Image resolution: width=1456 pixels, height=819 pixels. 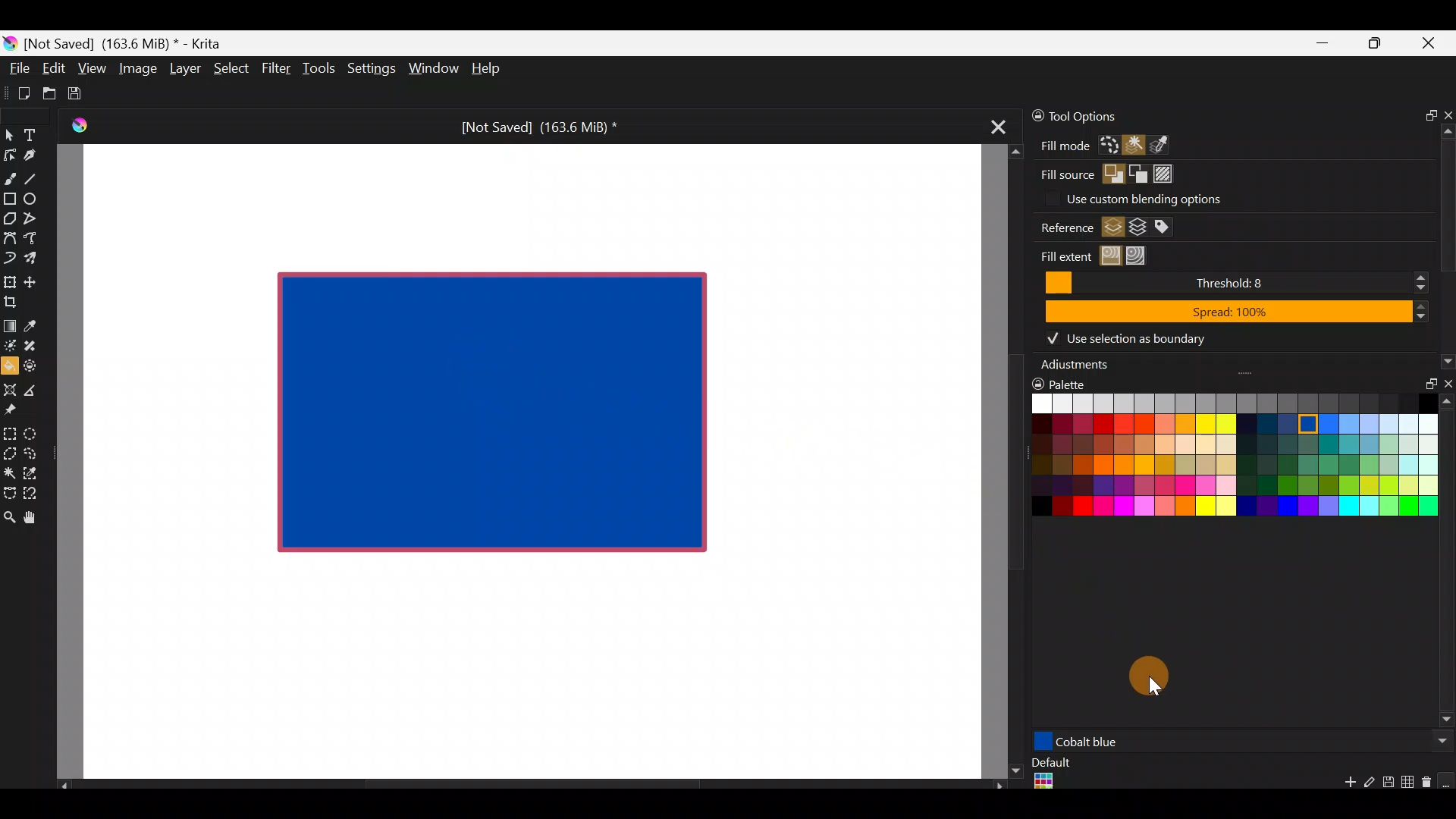 I want to click on Use selection as boundary, so click(x=1128, y=337).